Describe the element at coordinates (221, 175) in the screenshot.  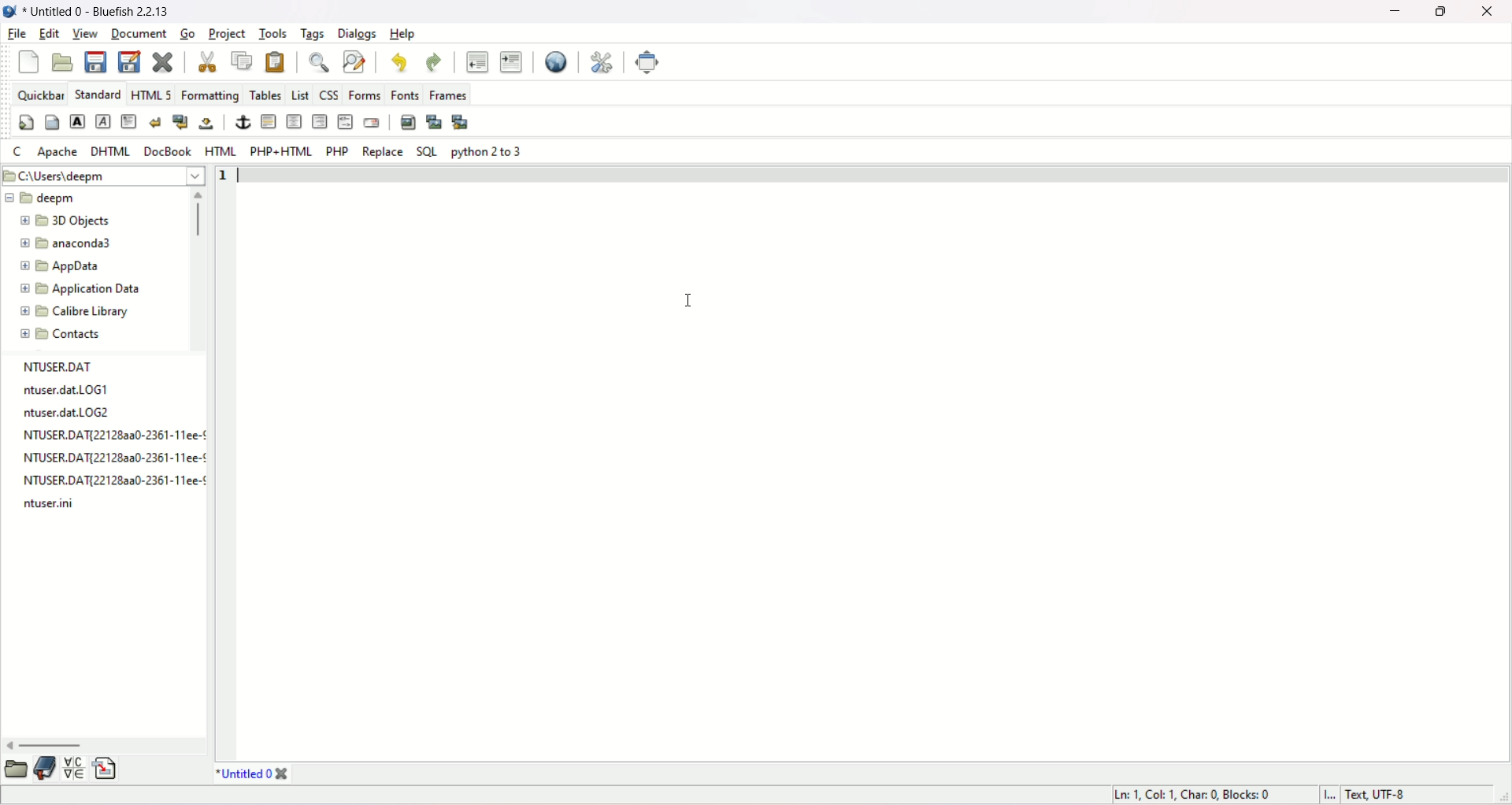
I see `line number` at that location.